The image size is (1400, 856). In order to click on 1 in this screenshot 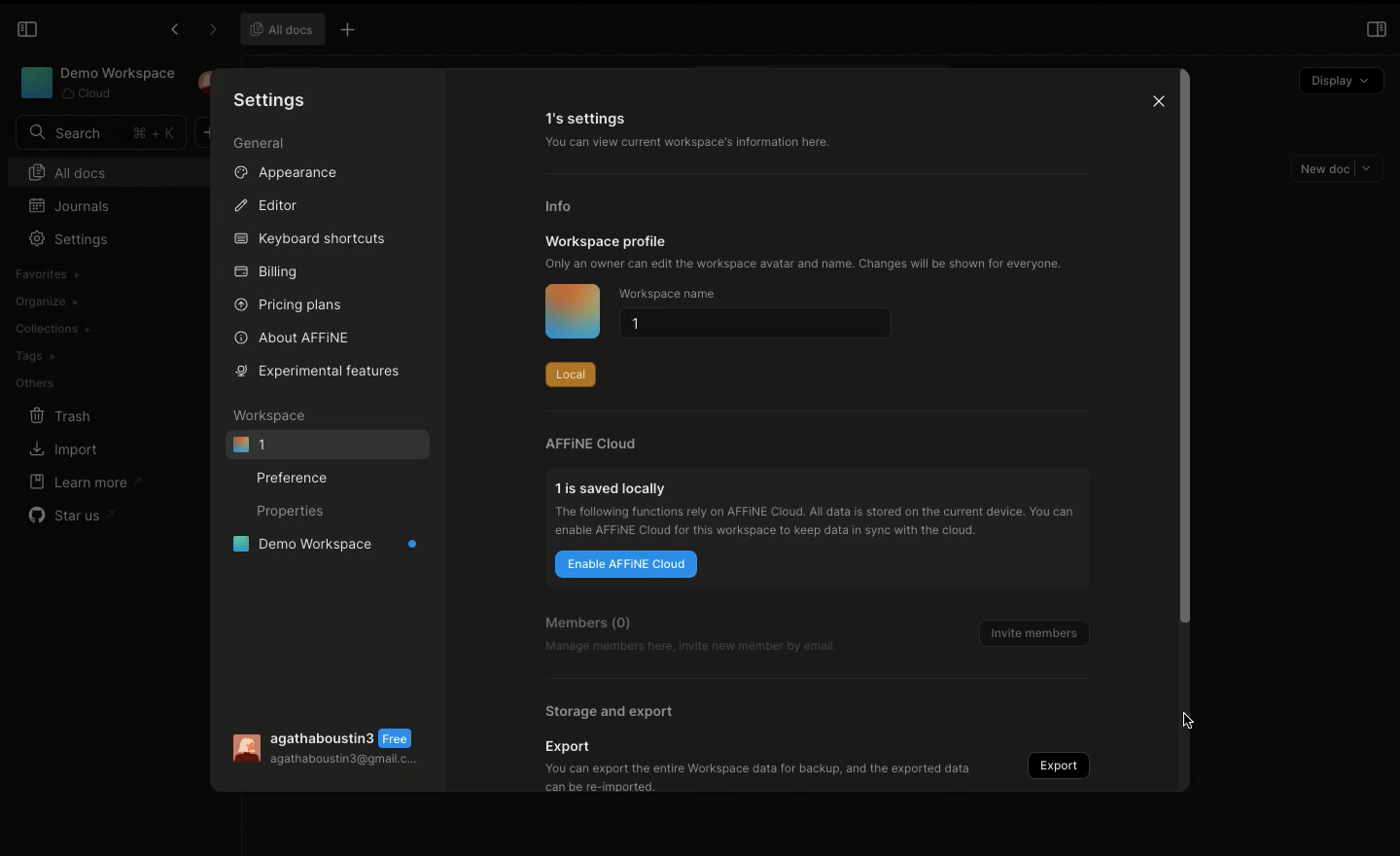, I will do `click(327, 445)`.